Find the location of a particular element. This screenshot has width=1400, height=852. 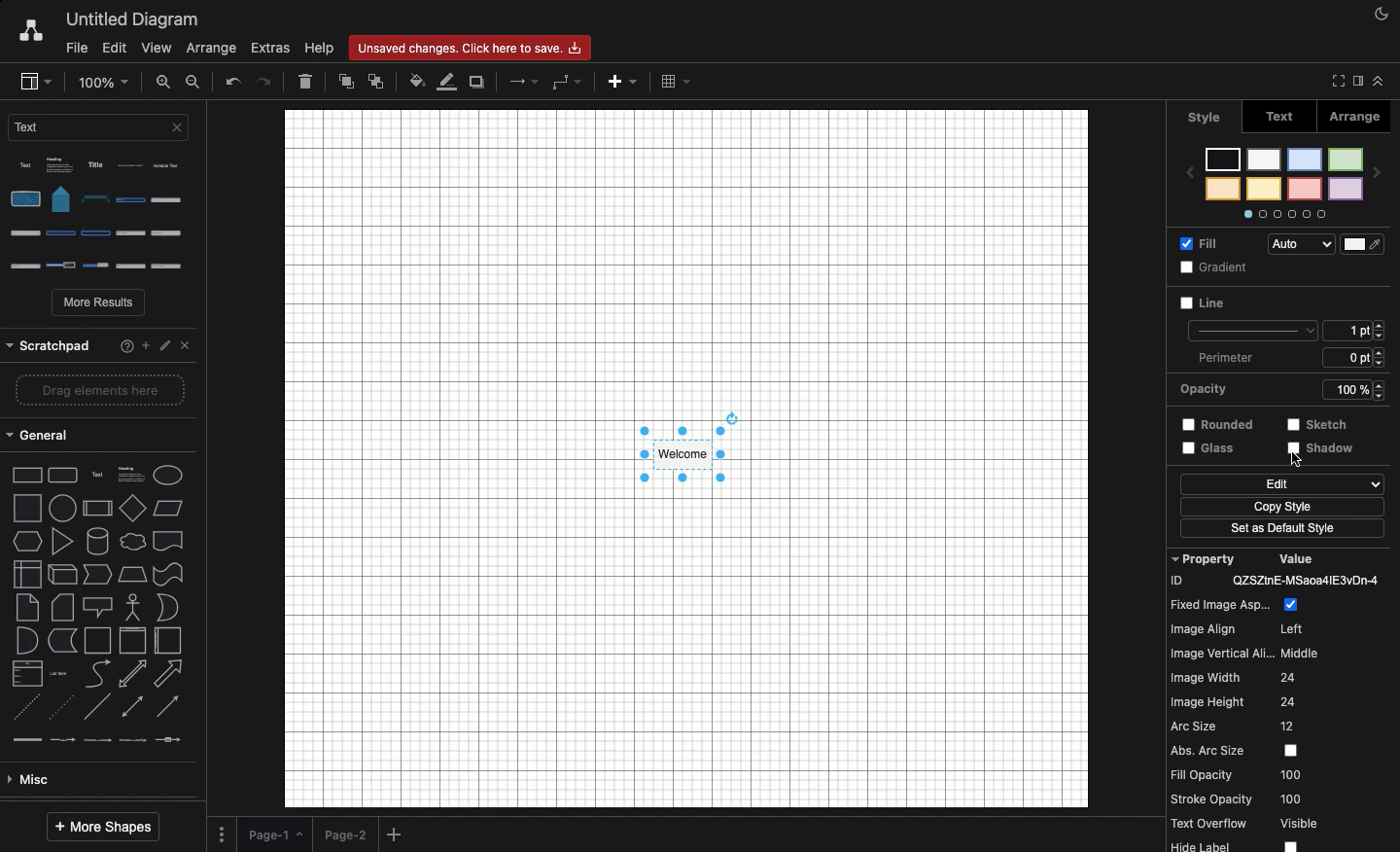

shadow is located at coordinates (1319, 454).